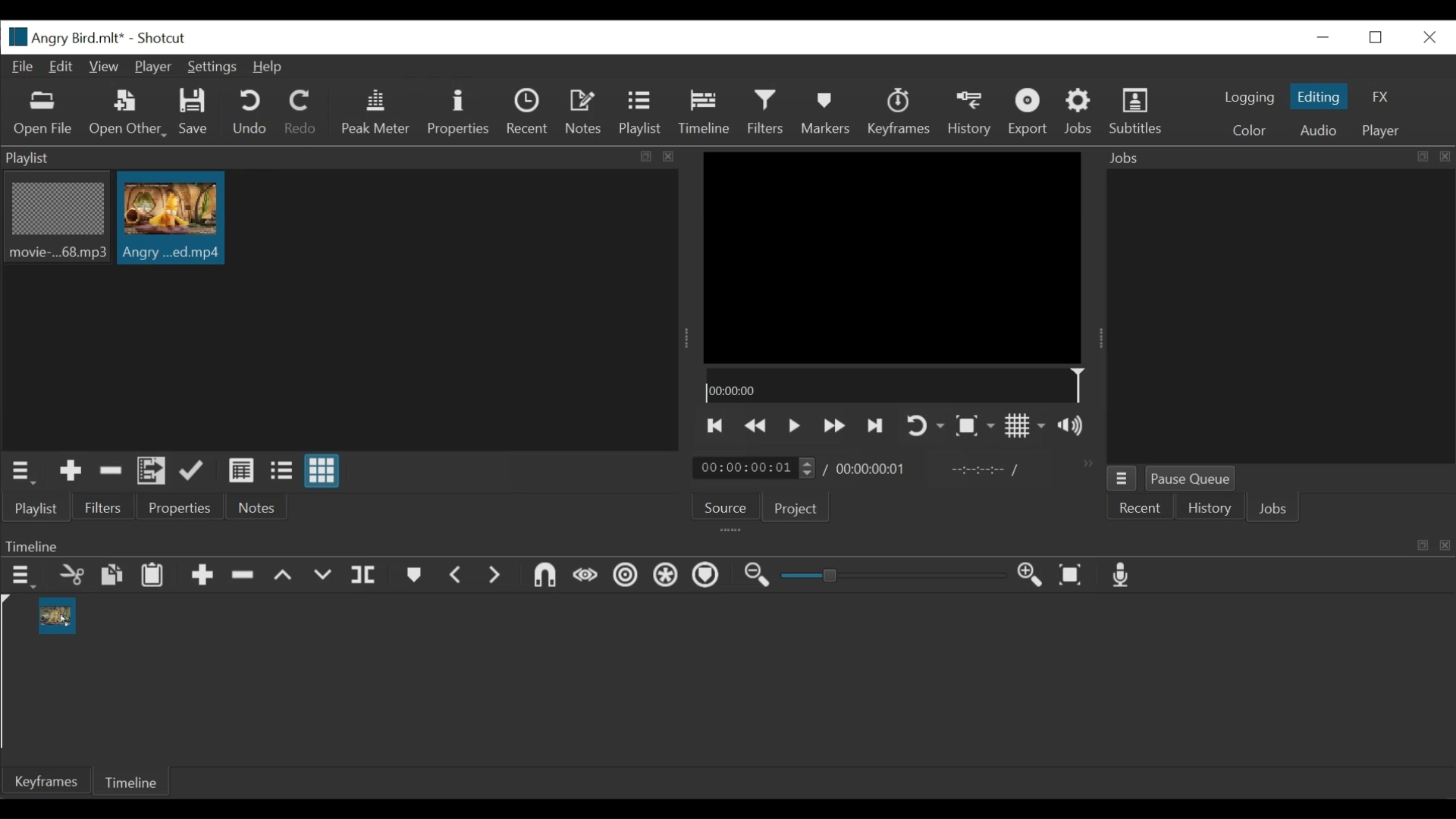 The image size is (1456, 819). I want to click on Zoom timeline to fit, so click(1073, 576).